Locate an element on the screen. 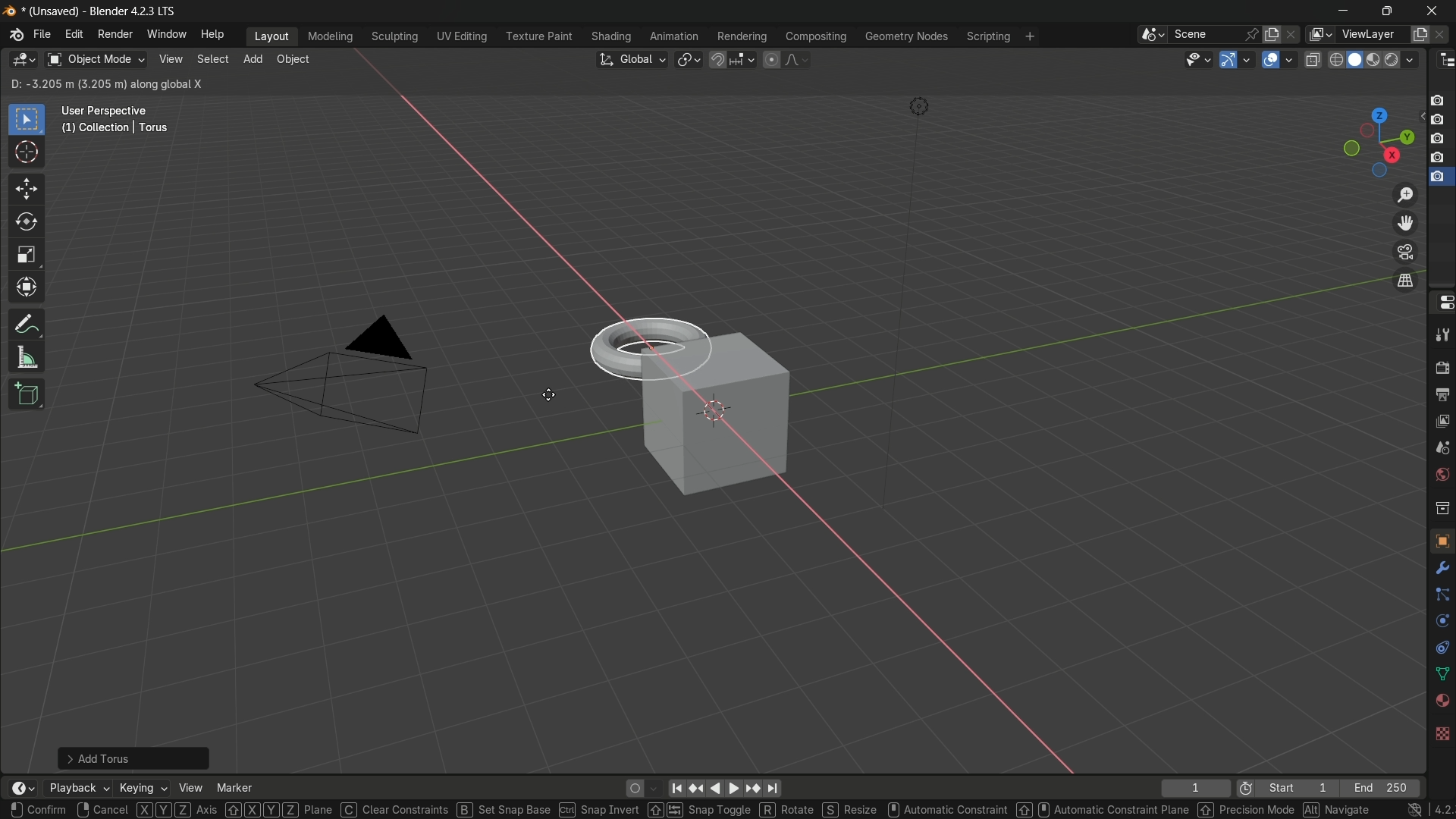  Snap Toggle is located at coordinates (700, 809).